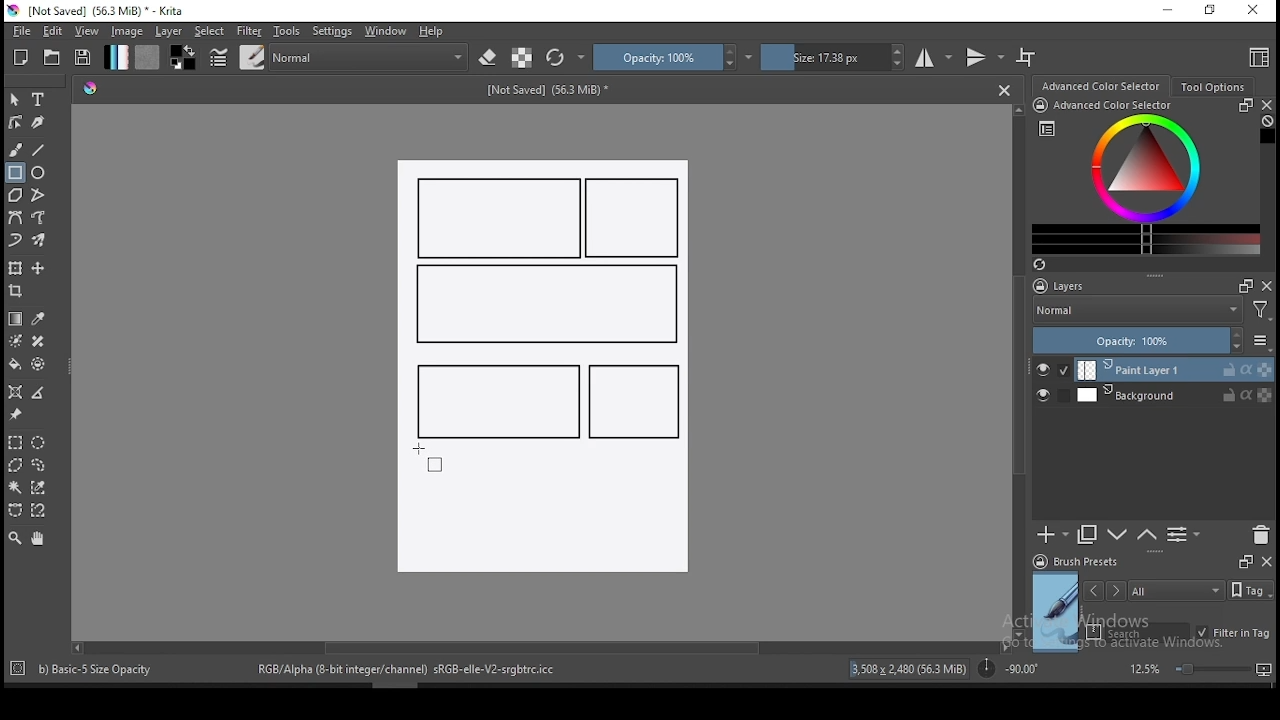 The image size is (1280, 720). What do you see at coordinates (15, 364) in the screenshot?
I see `paint bucket tool` at bounding box center [15, 364].